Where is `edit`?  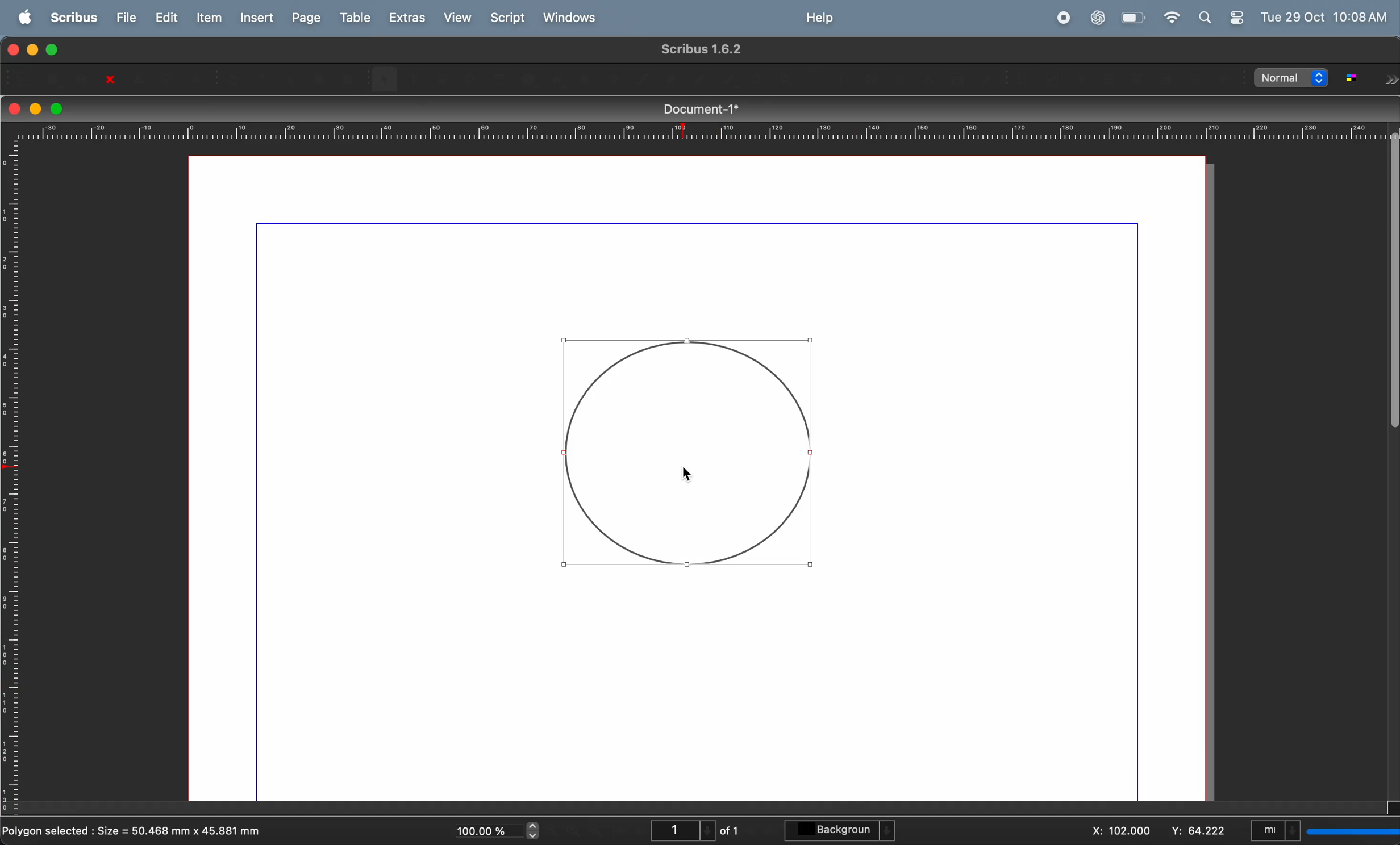 edit is located at coordinates (162, 18).